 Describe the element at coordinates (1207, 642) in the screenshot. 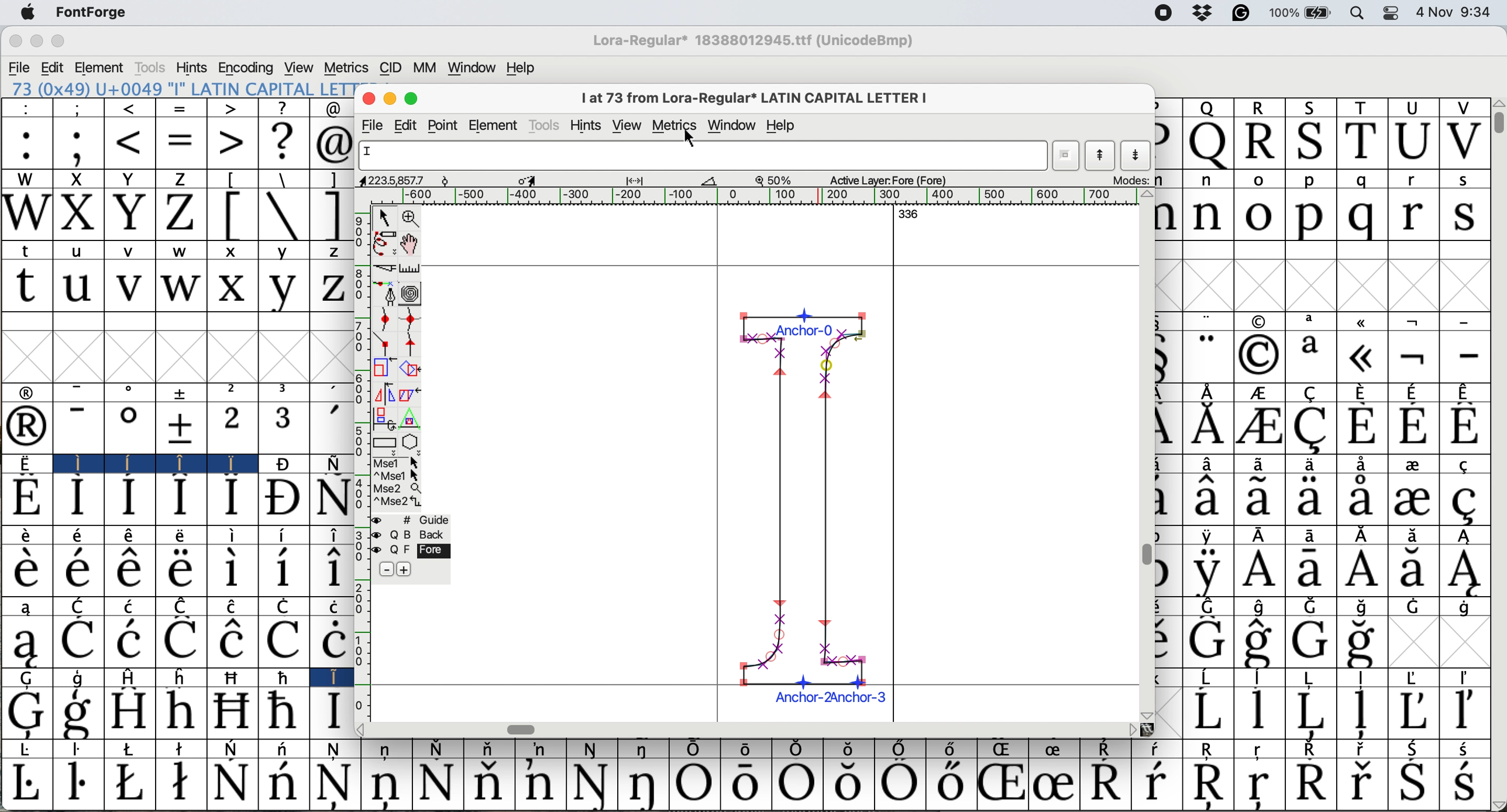

I see `Symbol` at that location.